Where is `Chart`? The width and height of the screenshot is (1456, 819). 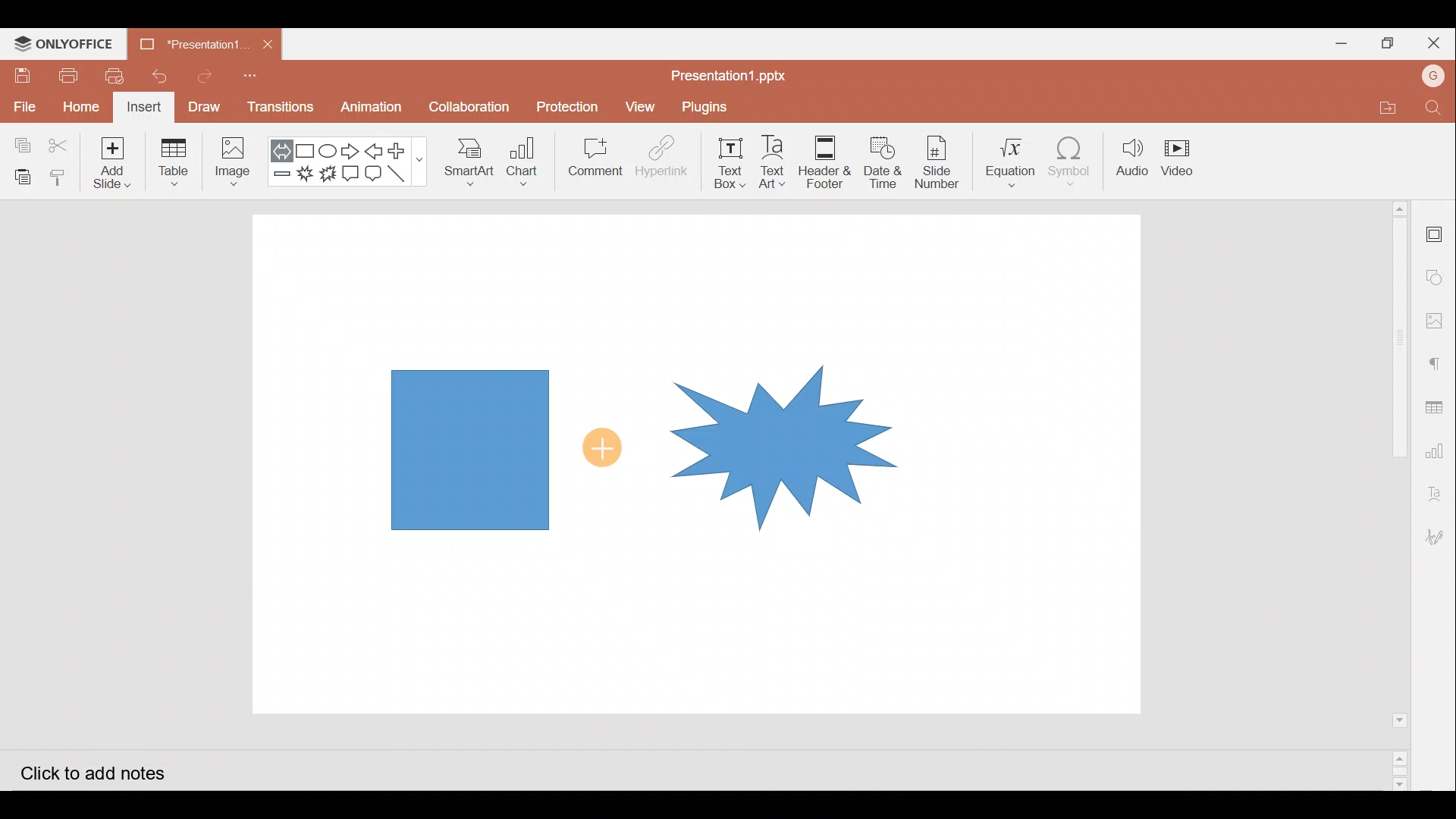
Chart is located at coordinates (526, 166).